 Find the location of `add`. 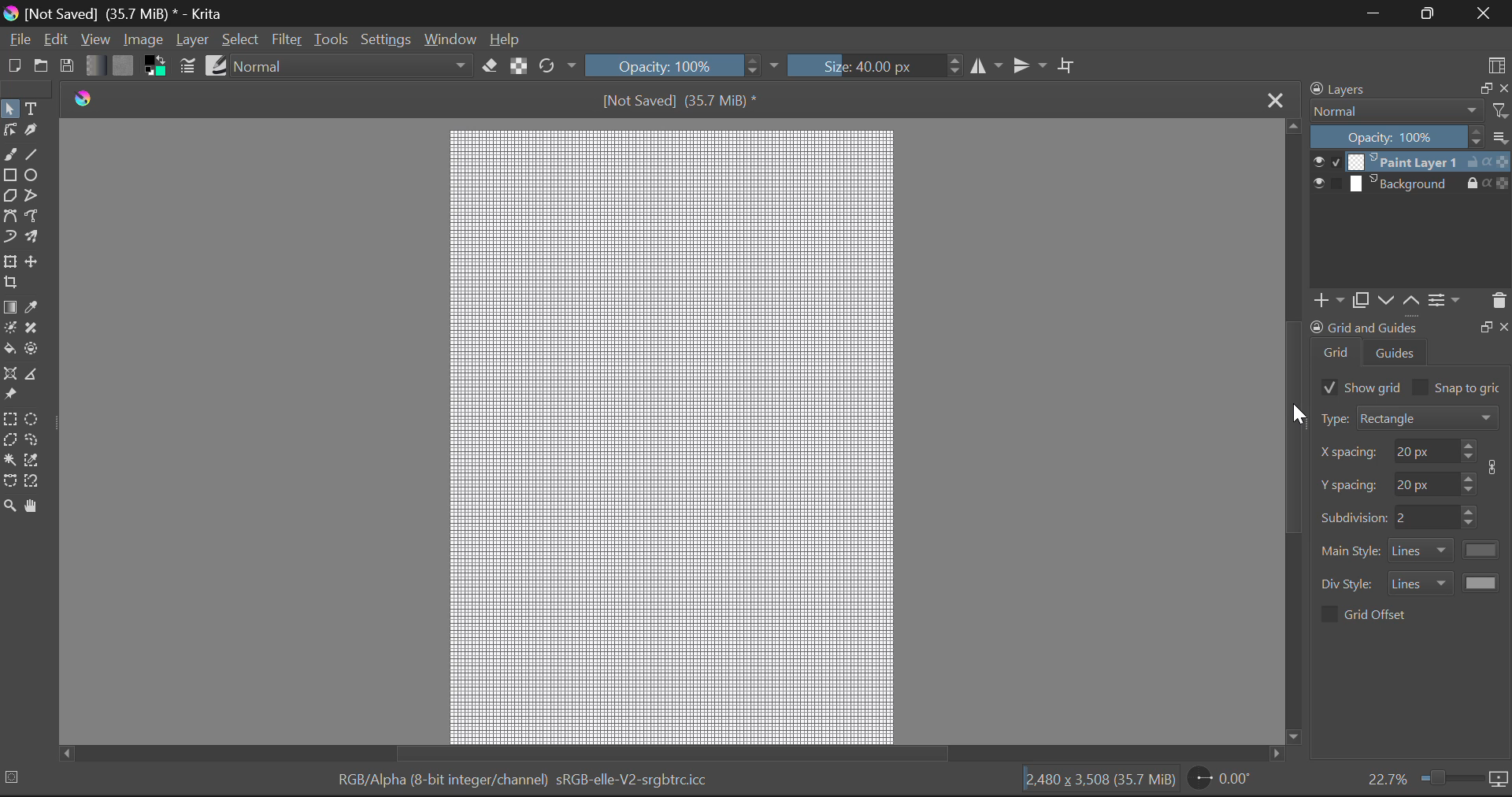

add is located at coordinates (1326, 301).